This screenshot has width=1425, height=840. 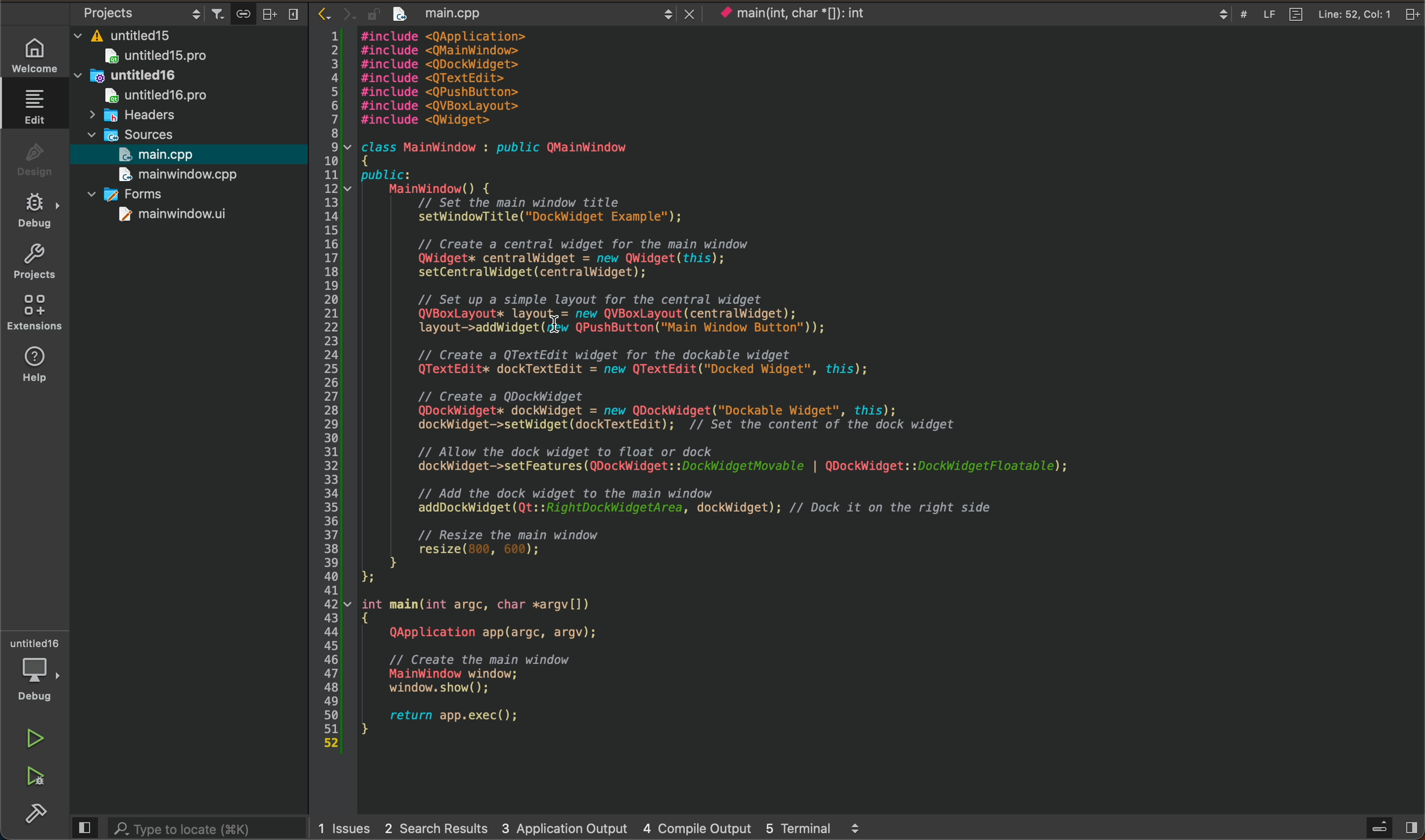 What do you see at coordinates (35, 49) in the screenshot?
I see `welcome` at bounding box center [35, 49].